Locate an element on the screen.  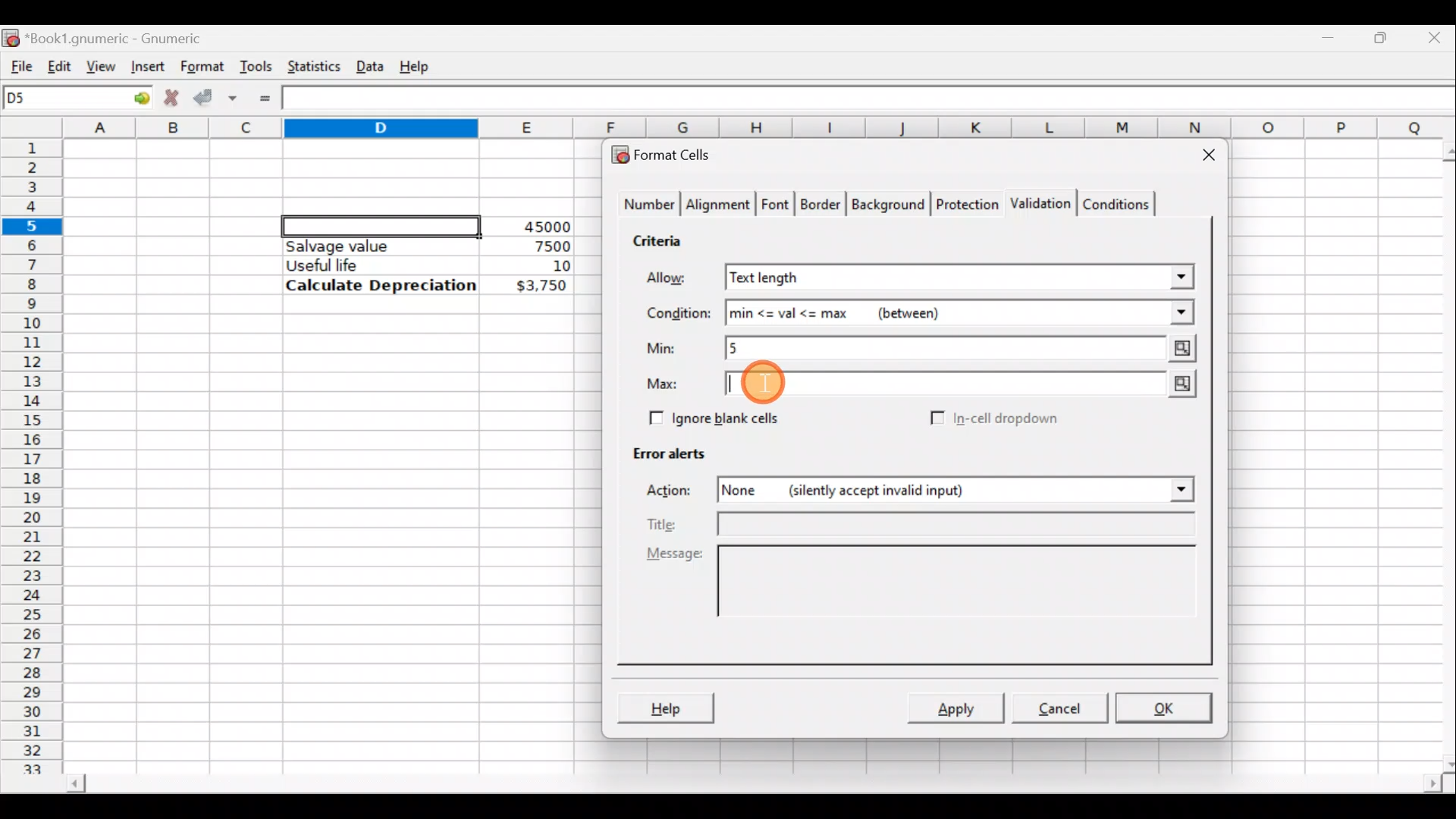
Calculate Depreciation is located at coordinates (381, 284).